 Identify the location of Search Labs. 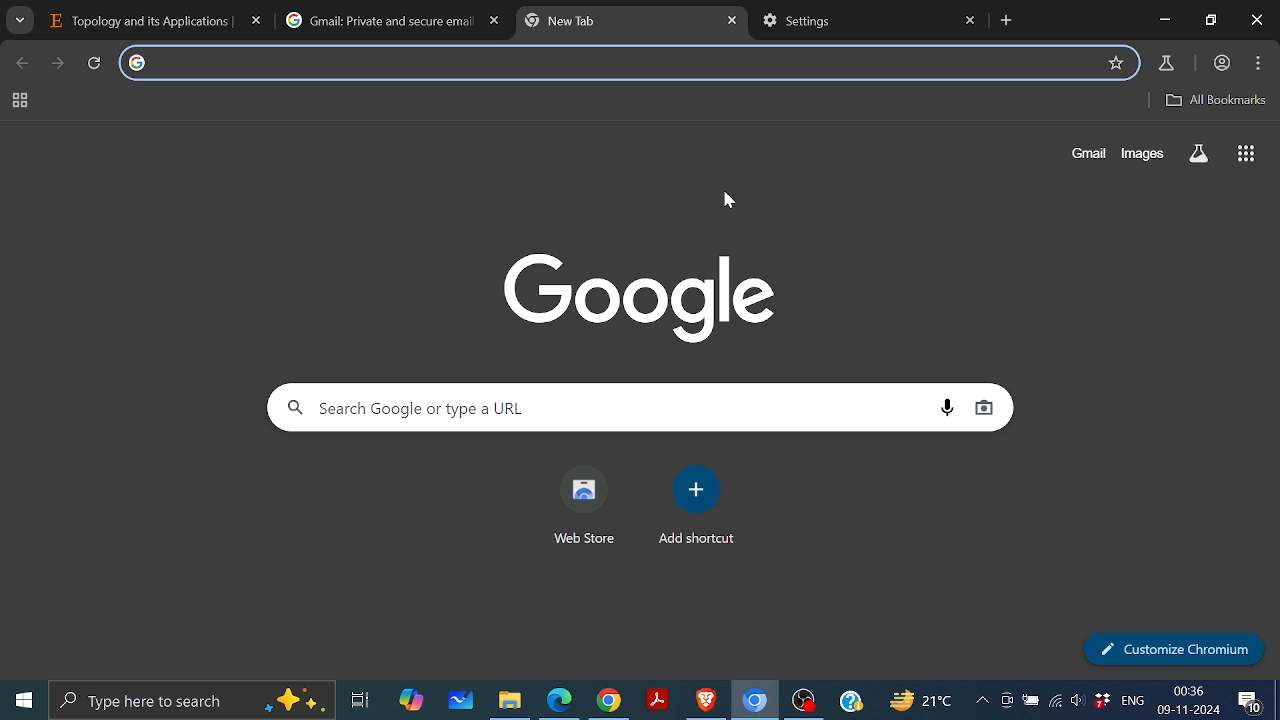
(1198, 154).